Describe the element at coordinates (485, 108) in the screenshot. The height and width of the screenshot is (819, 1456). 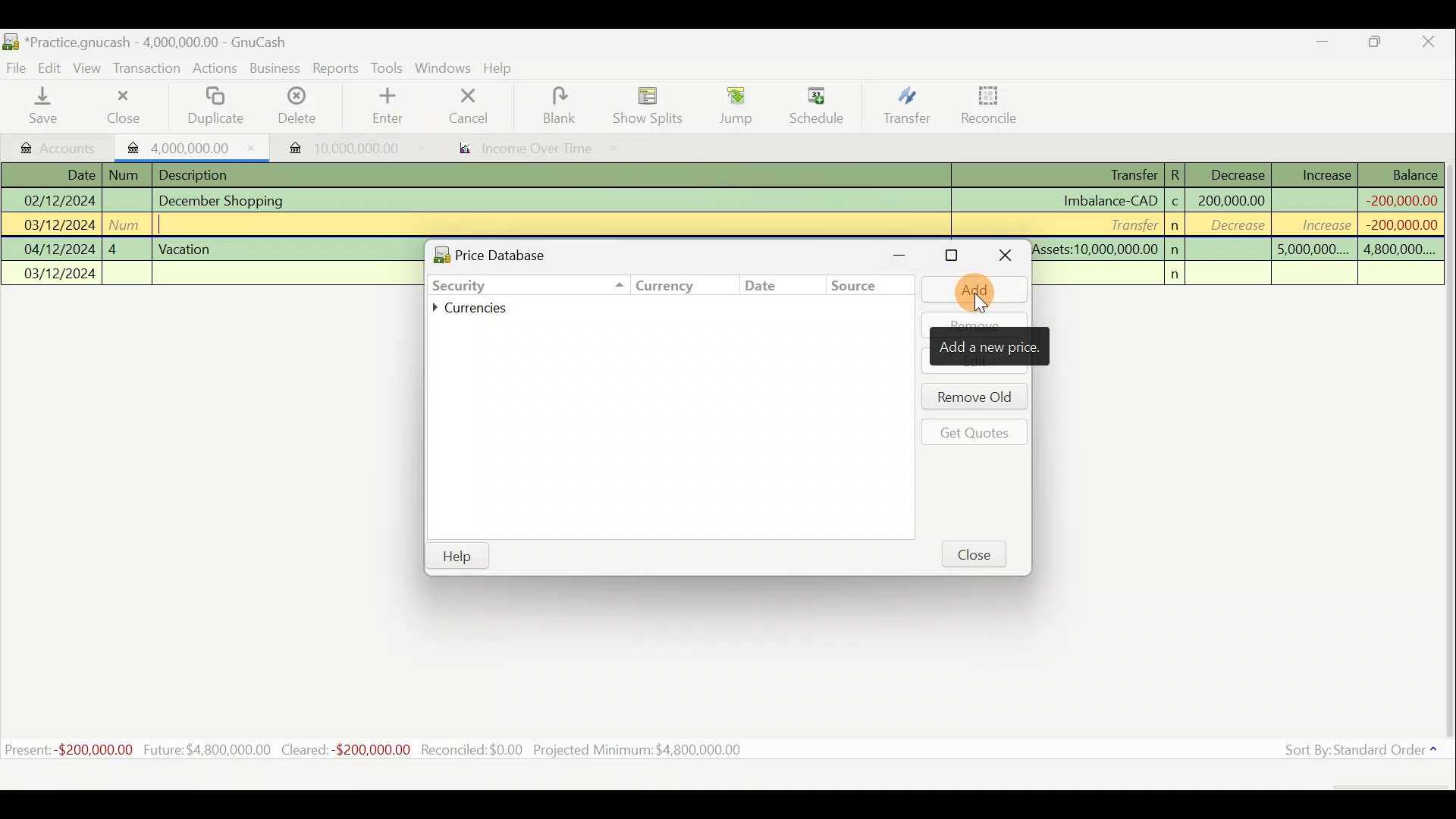
I see `cancel` at that location.